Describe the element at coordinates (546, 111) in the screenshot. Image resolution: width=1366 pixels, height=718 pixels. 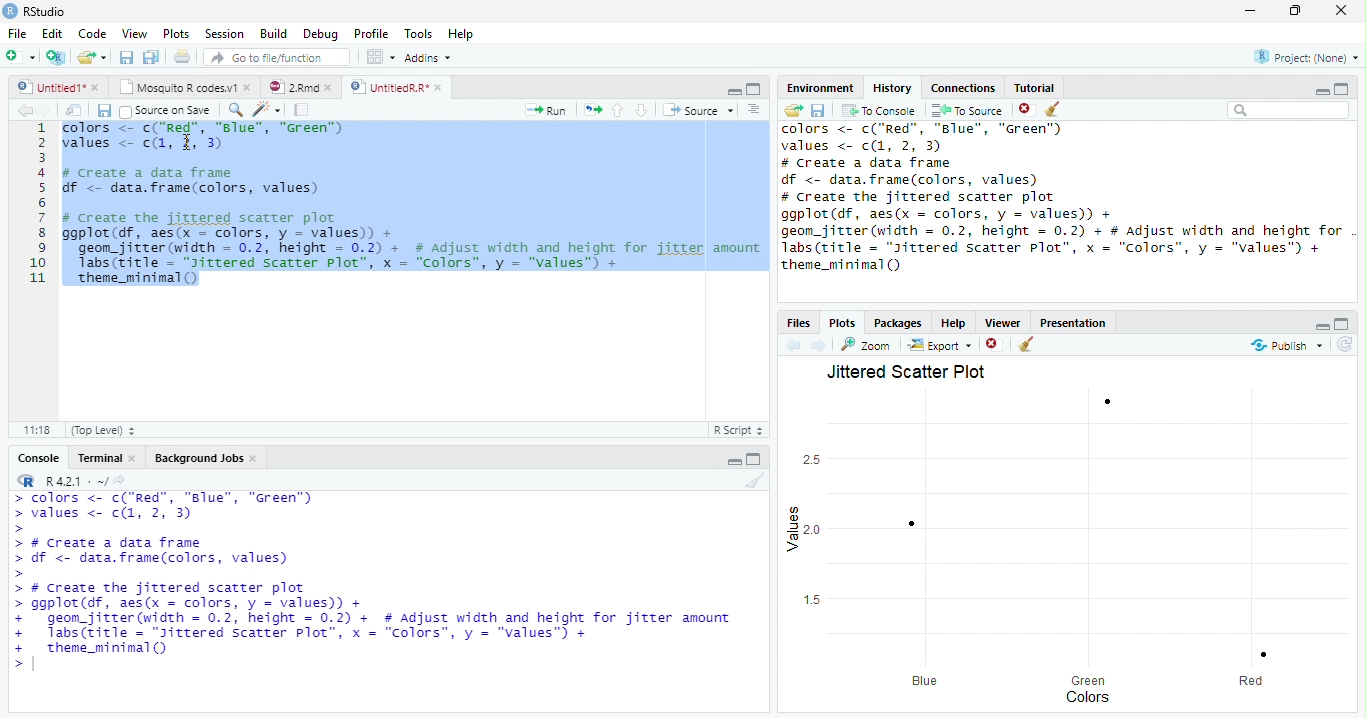
I see `Run` at that location.